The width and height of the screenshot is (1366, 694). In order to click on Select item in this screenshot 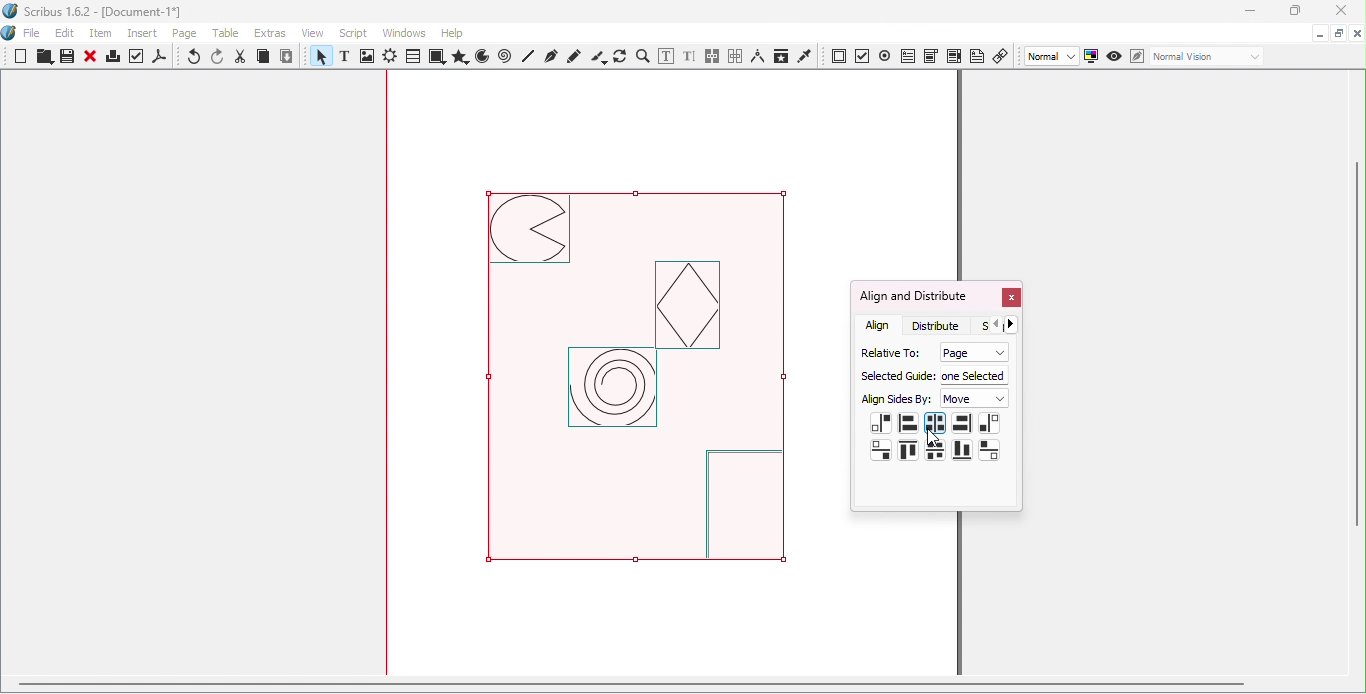, I will do `click(319, 58)`.